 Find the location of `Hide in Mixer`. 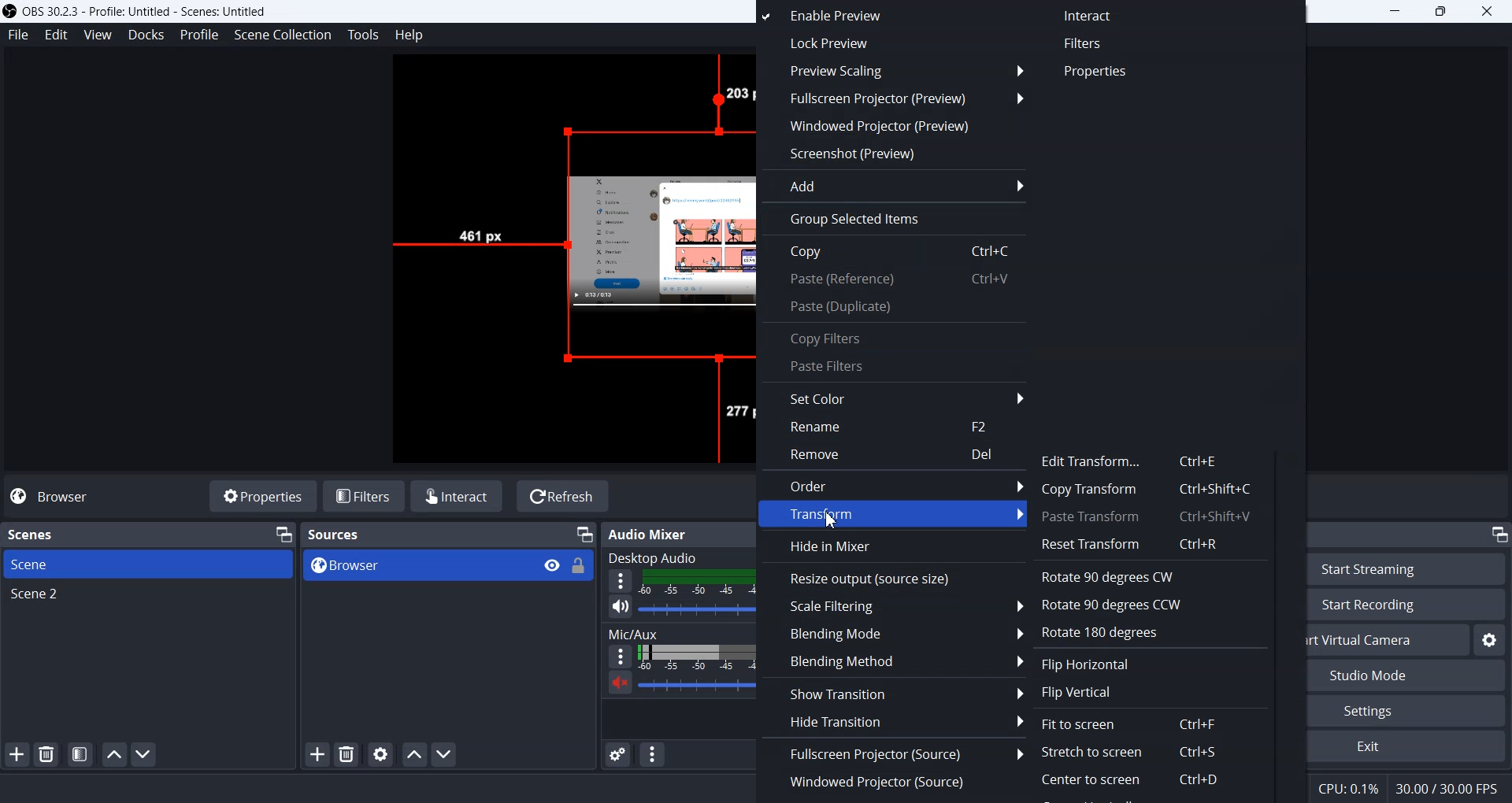

Hide in Mixer is located at coordinates (891, 545).